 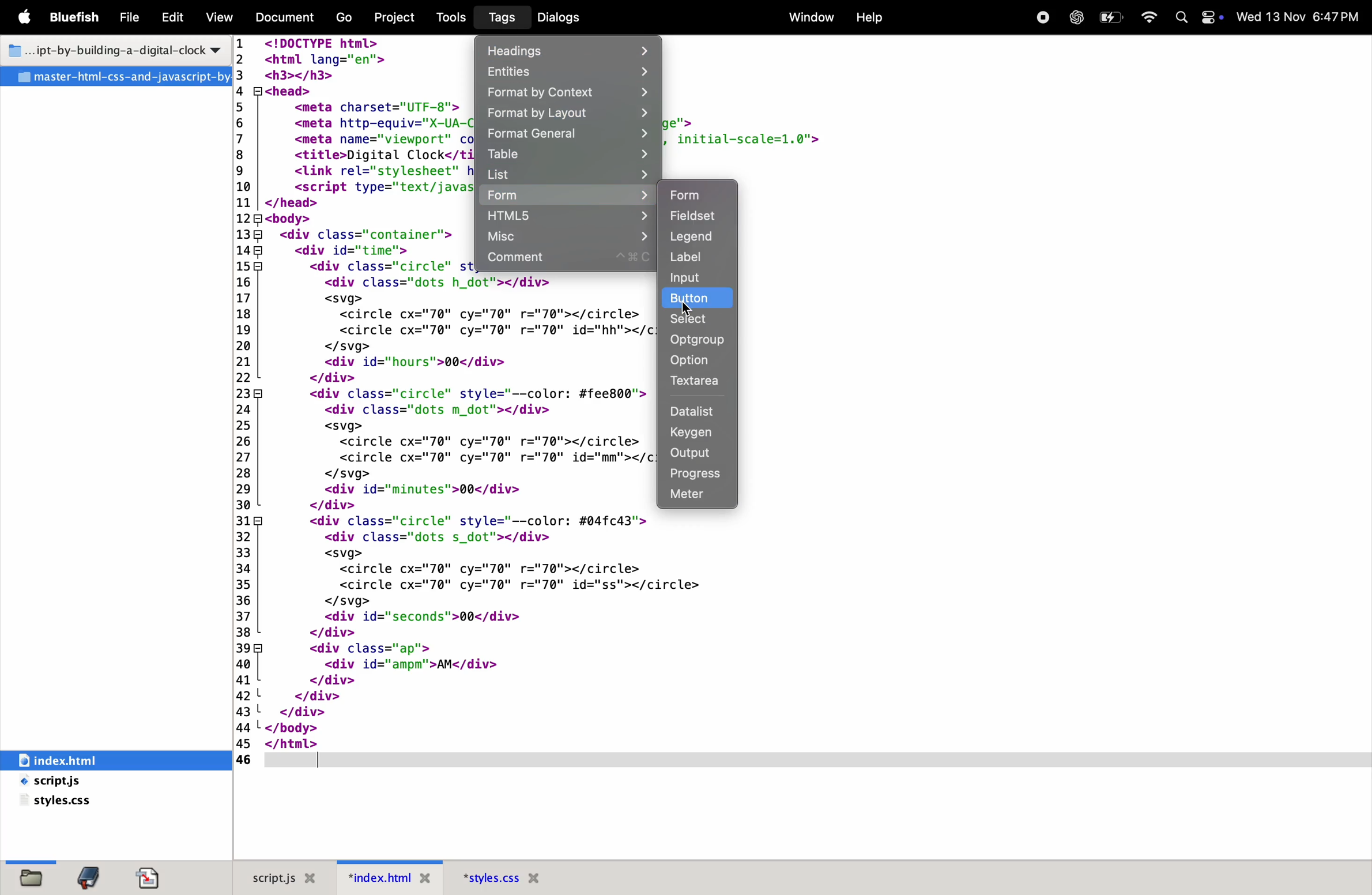 What do you see at coordinates (692, 218) in the screenshot?
I see `Field set` at bounding box center [692, 218].